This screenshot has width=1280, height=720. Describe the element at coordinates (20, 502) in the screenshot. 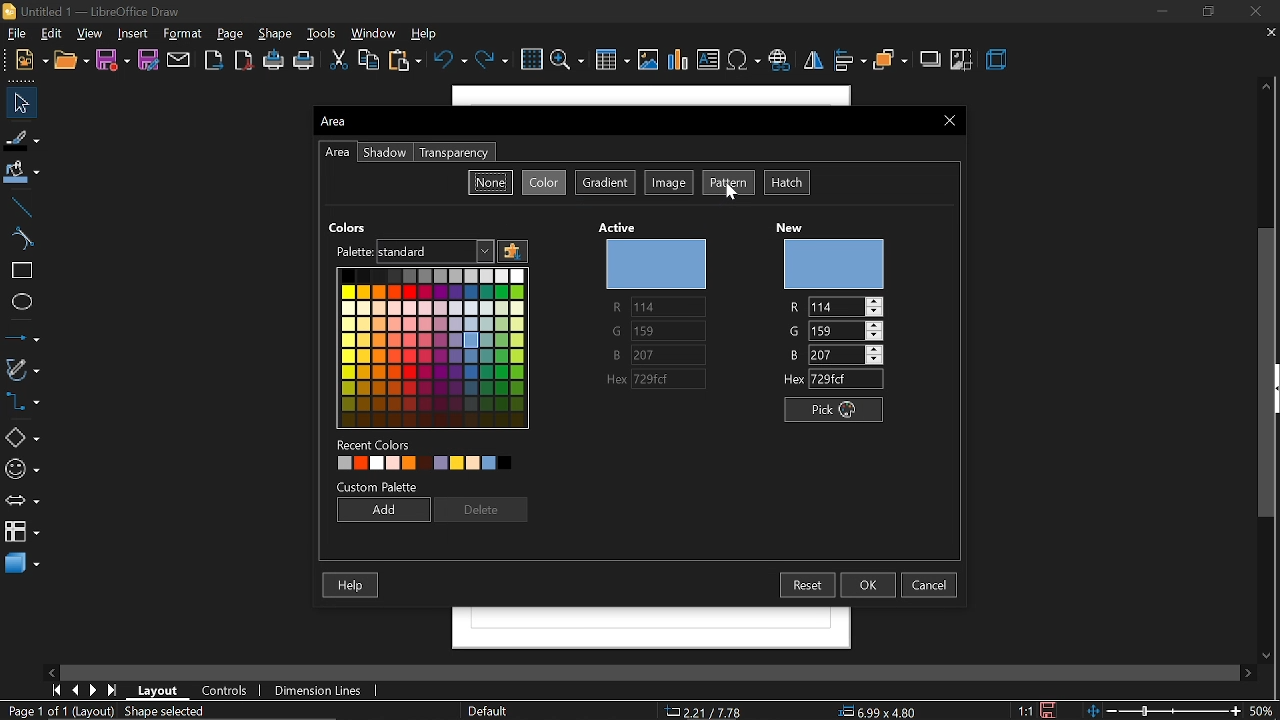

I see `arrow` at that location.